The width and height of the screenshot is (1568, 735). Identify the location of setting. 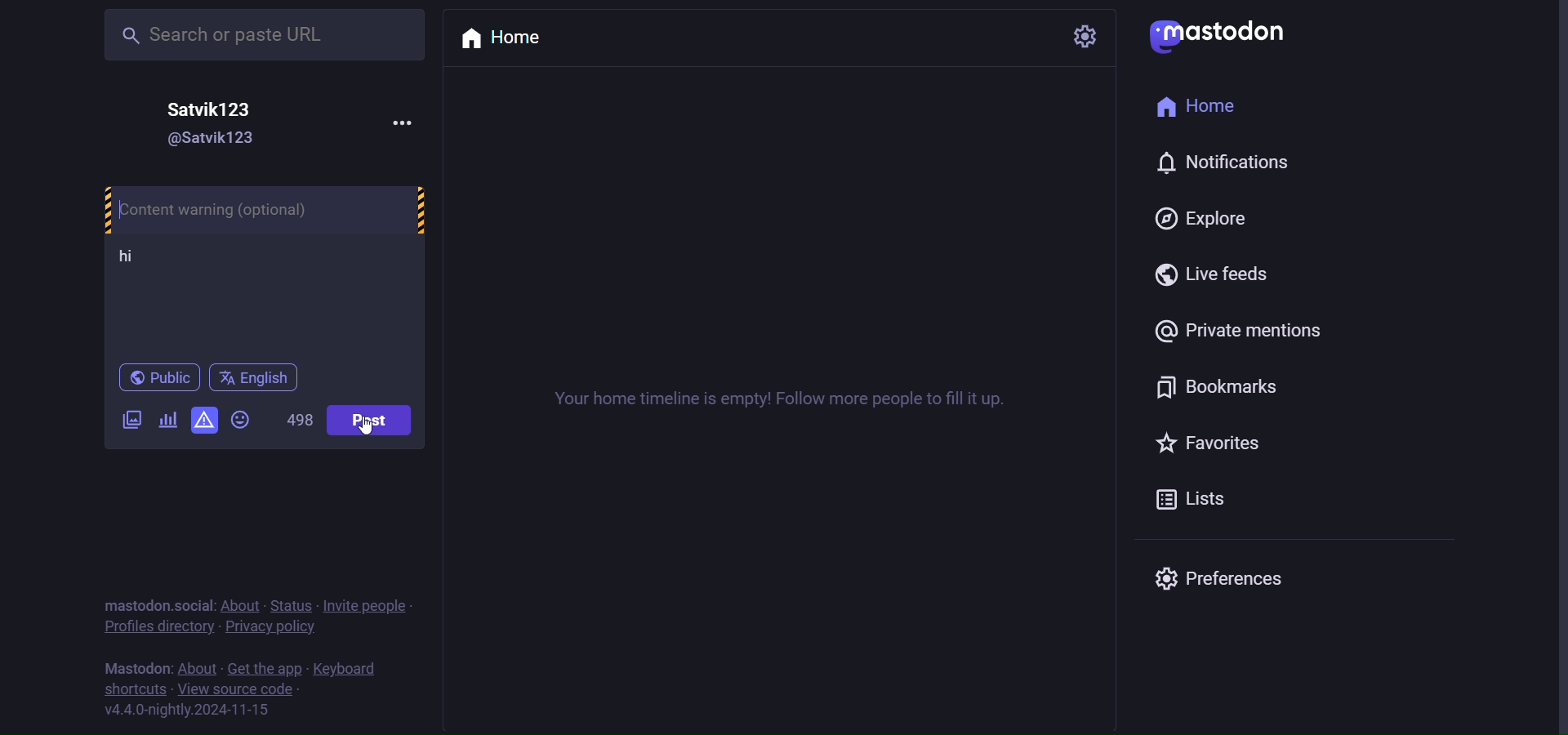
(1084, 36).